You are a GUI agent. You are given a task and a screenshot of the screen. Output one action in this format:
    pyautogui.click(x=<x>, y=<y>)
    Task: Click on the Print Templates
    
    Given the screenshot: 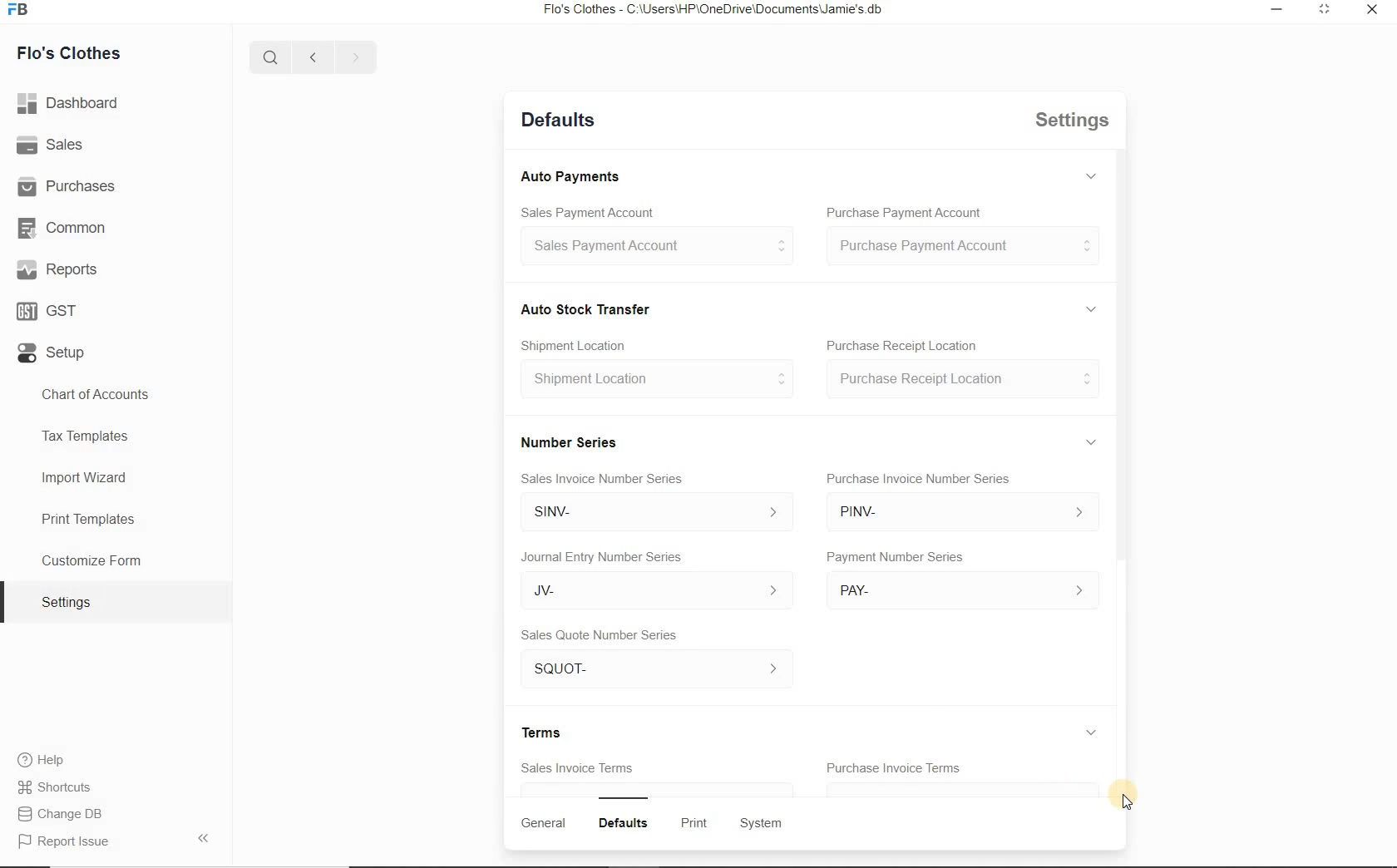 What is the action you would take?
    pyautogui.click(x=86, y=518)
    